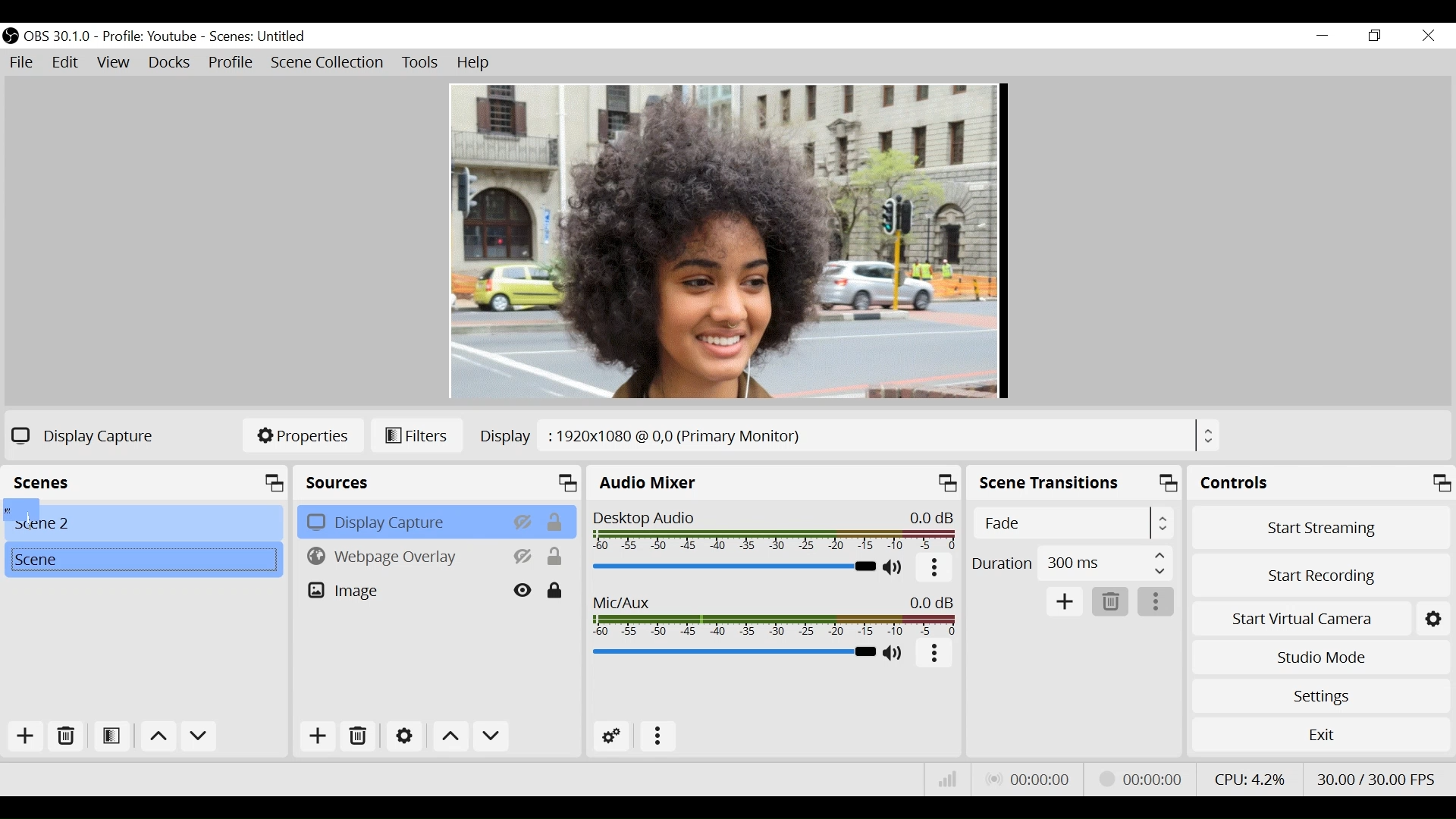  I want to click on Filters, so click(419, 436).